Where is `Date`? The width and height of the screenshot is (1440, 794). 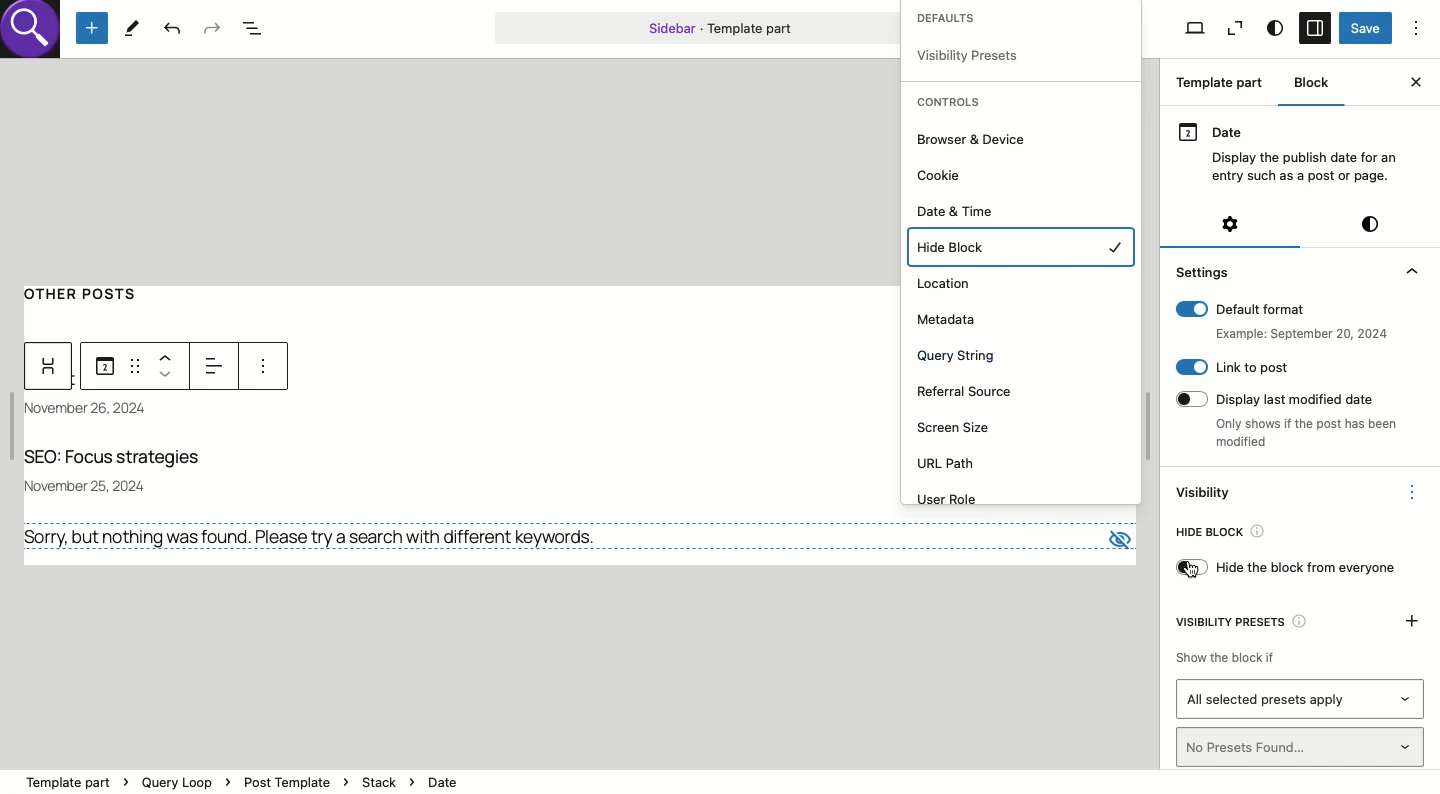
Date is located at coordinates (104, 367).